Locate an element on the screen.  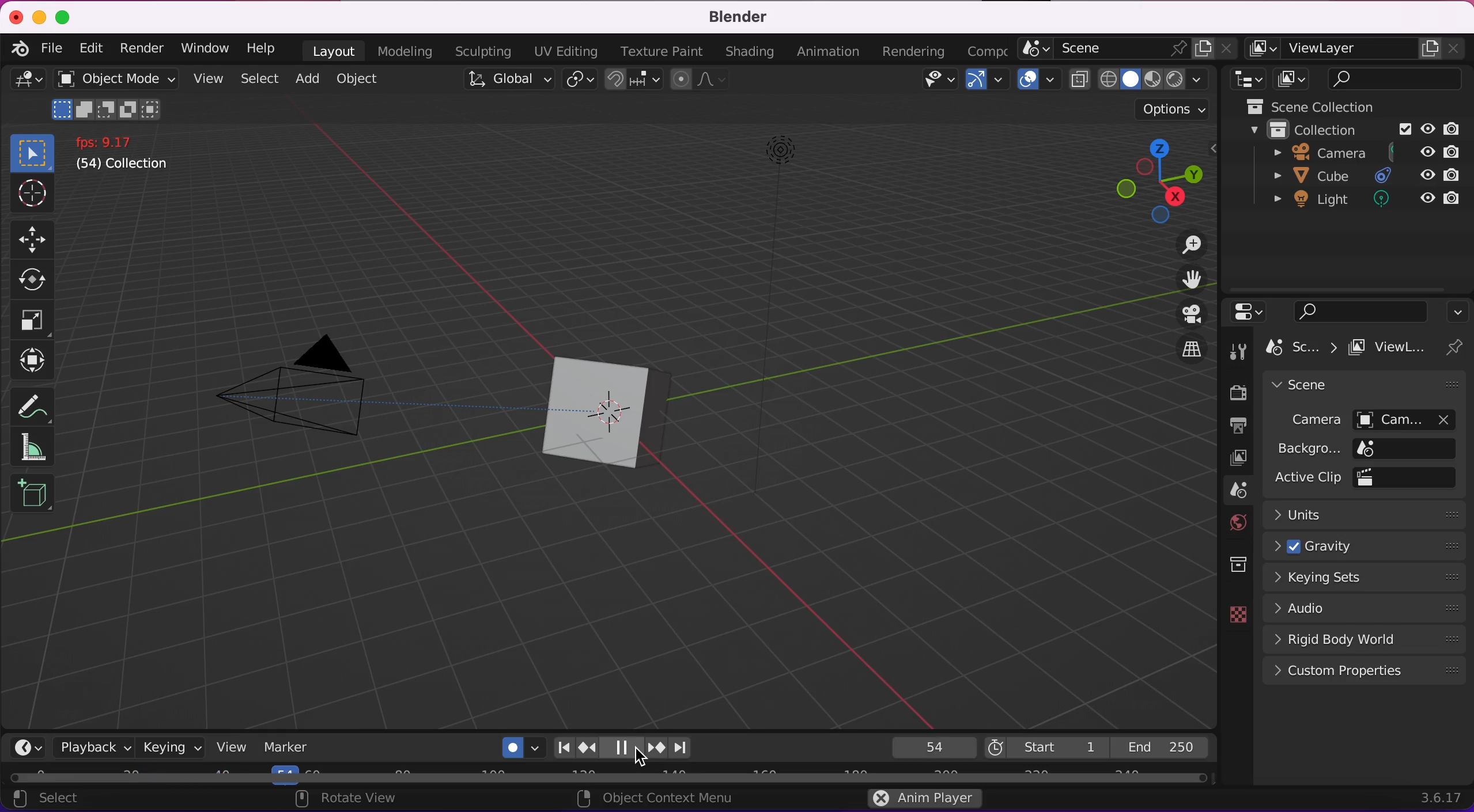
toggle the camera view is located at coordinates (1182, 313).